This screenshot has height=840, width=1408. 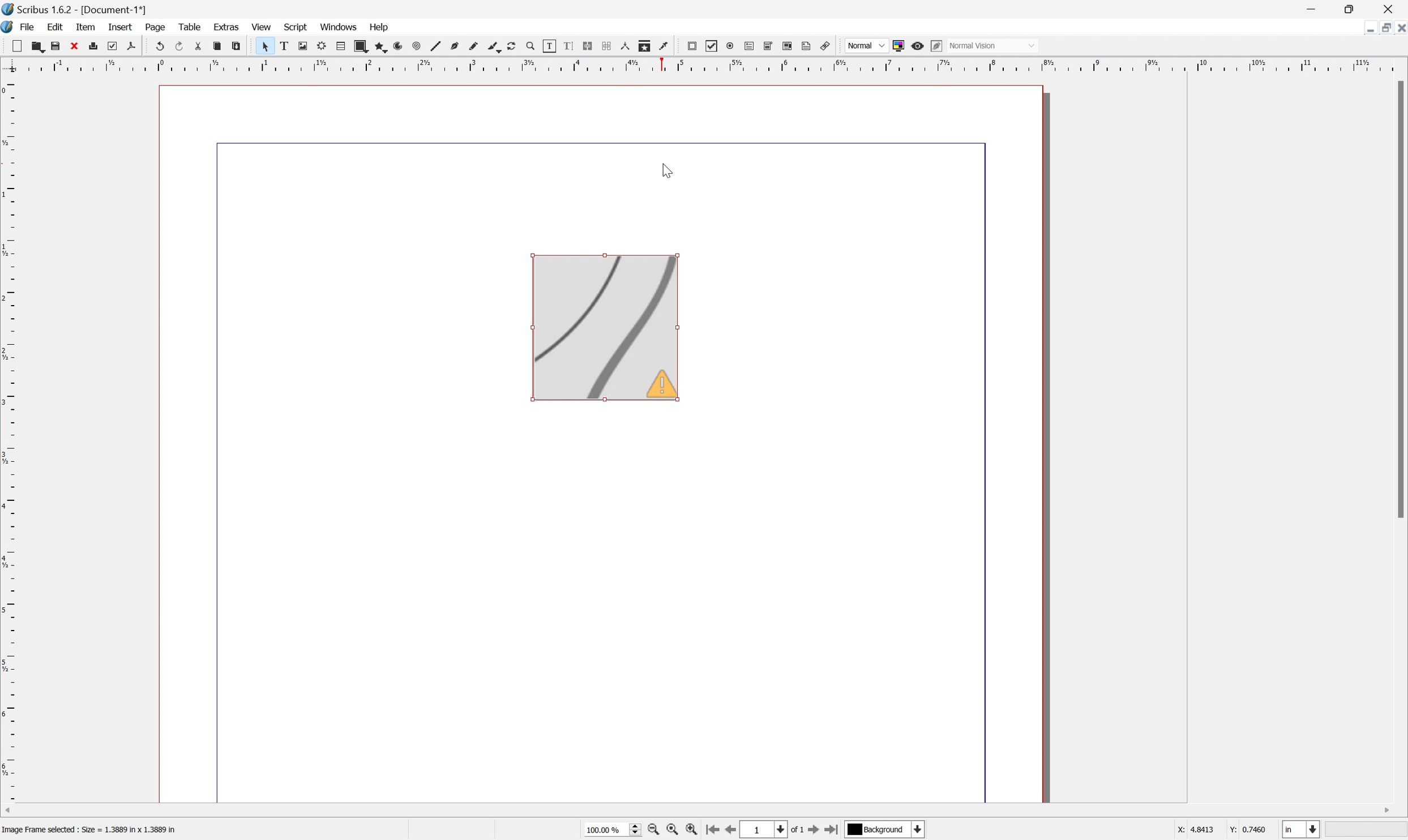 What do you see at coordinates (289, 45) in the screenshot?
I see `Text frame` at bounding box center [289, 45].